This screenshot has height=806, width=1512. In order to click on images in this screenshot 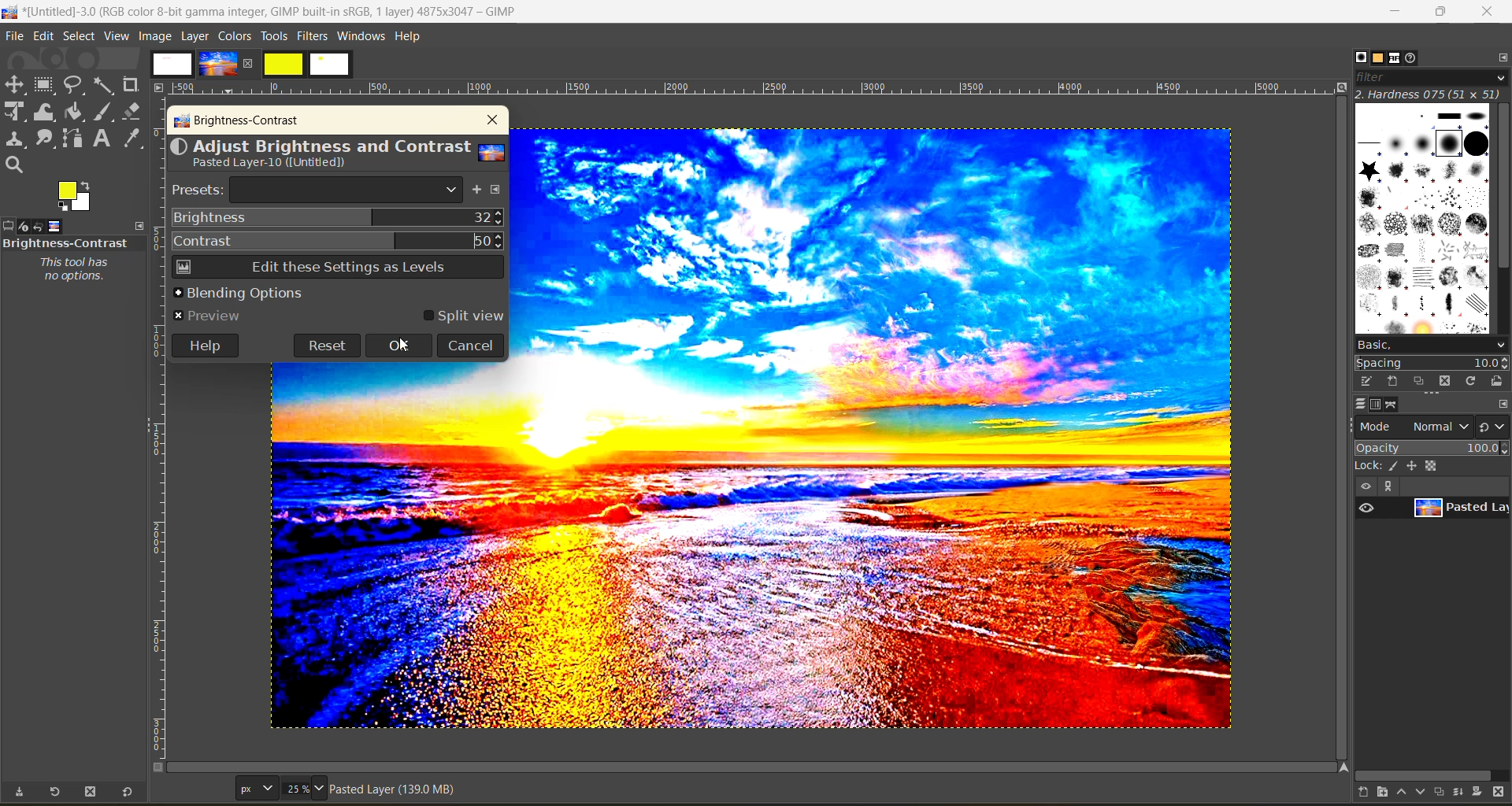, I will do `click(55, 224)`.